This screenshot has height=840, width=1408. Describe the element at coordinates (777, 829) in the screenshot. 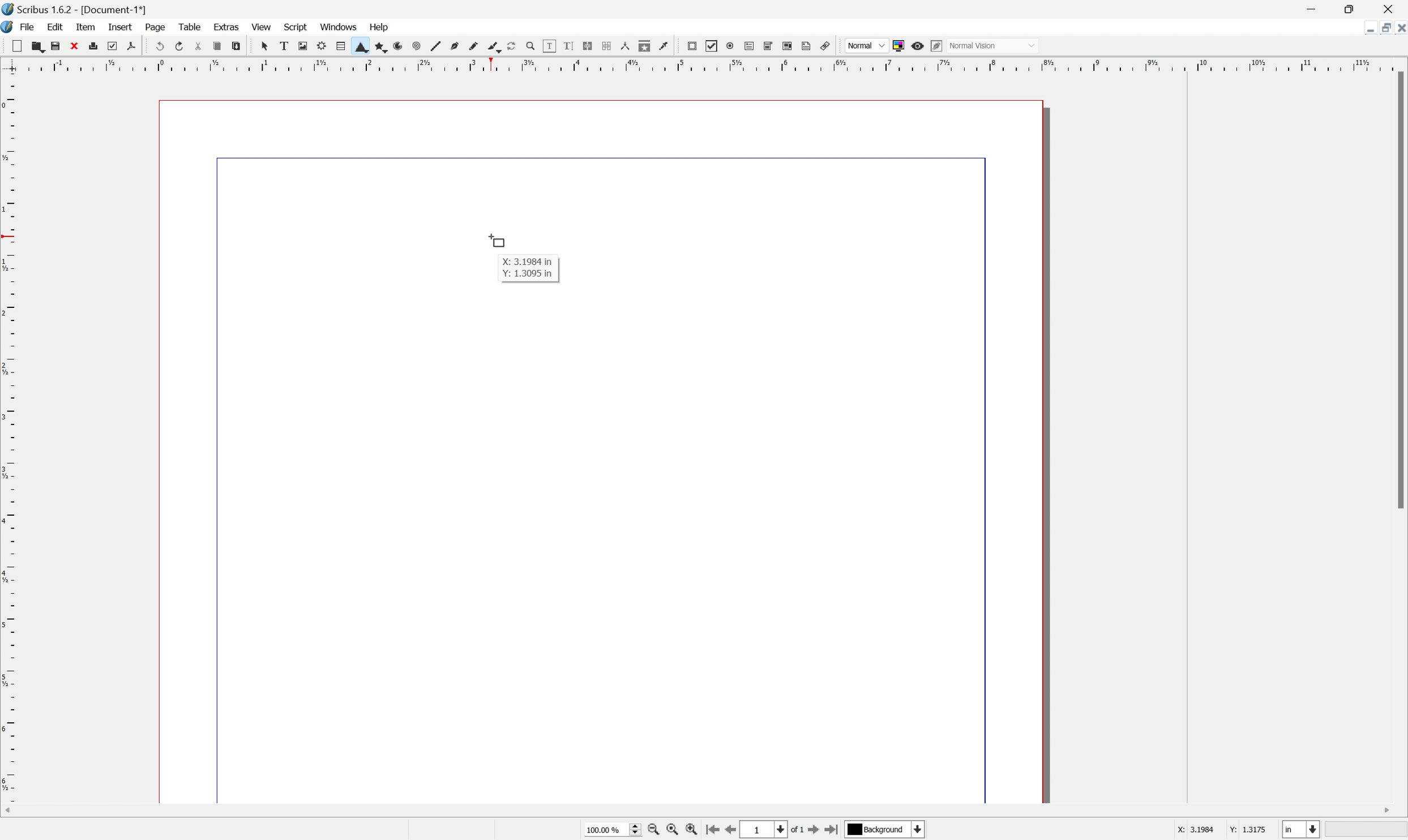

I see `Select current page` at that location.